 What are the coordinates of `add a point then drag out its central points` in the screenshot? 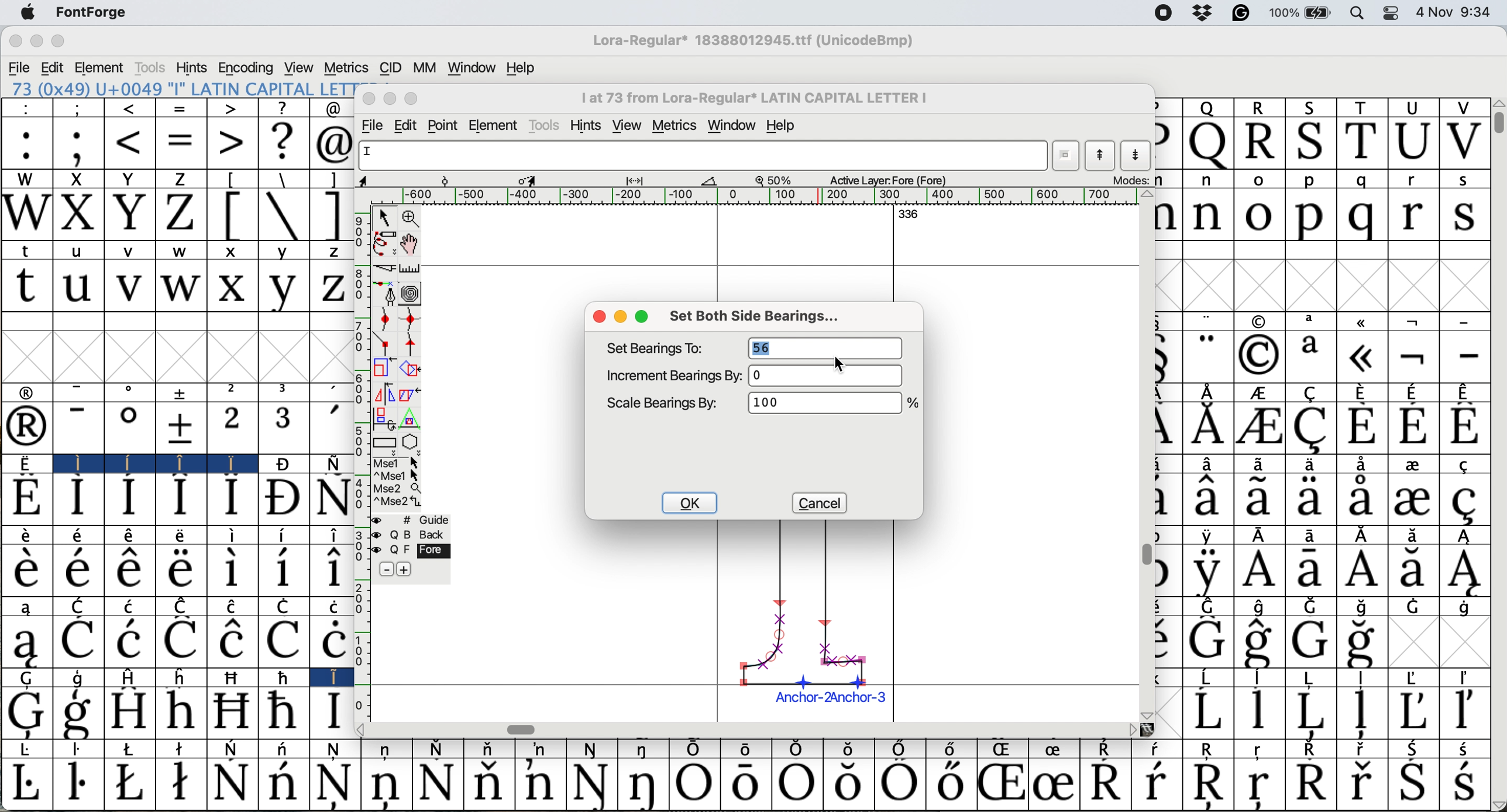 It's located at (386, 294).